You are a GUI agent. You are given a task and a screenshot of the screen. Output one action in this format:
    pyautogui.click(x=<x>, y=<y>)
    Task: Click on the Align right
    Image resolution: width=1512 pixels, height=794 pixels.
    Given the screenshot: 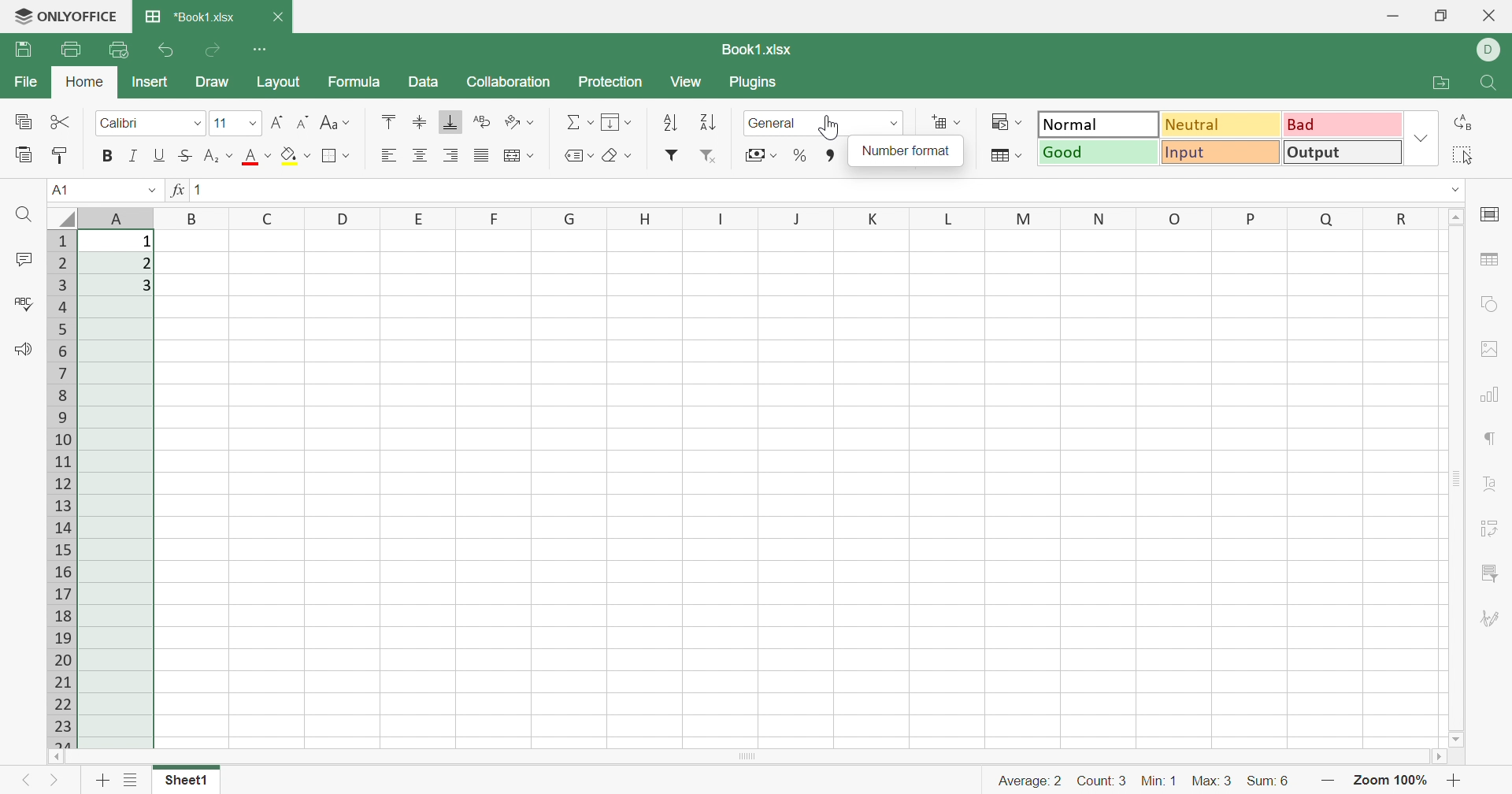 What is the action you would take?
    pyautogui.click(x=454, y=155)
    